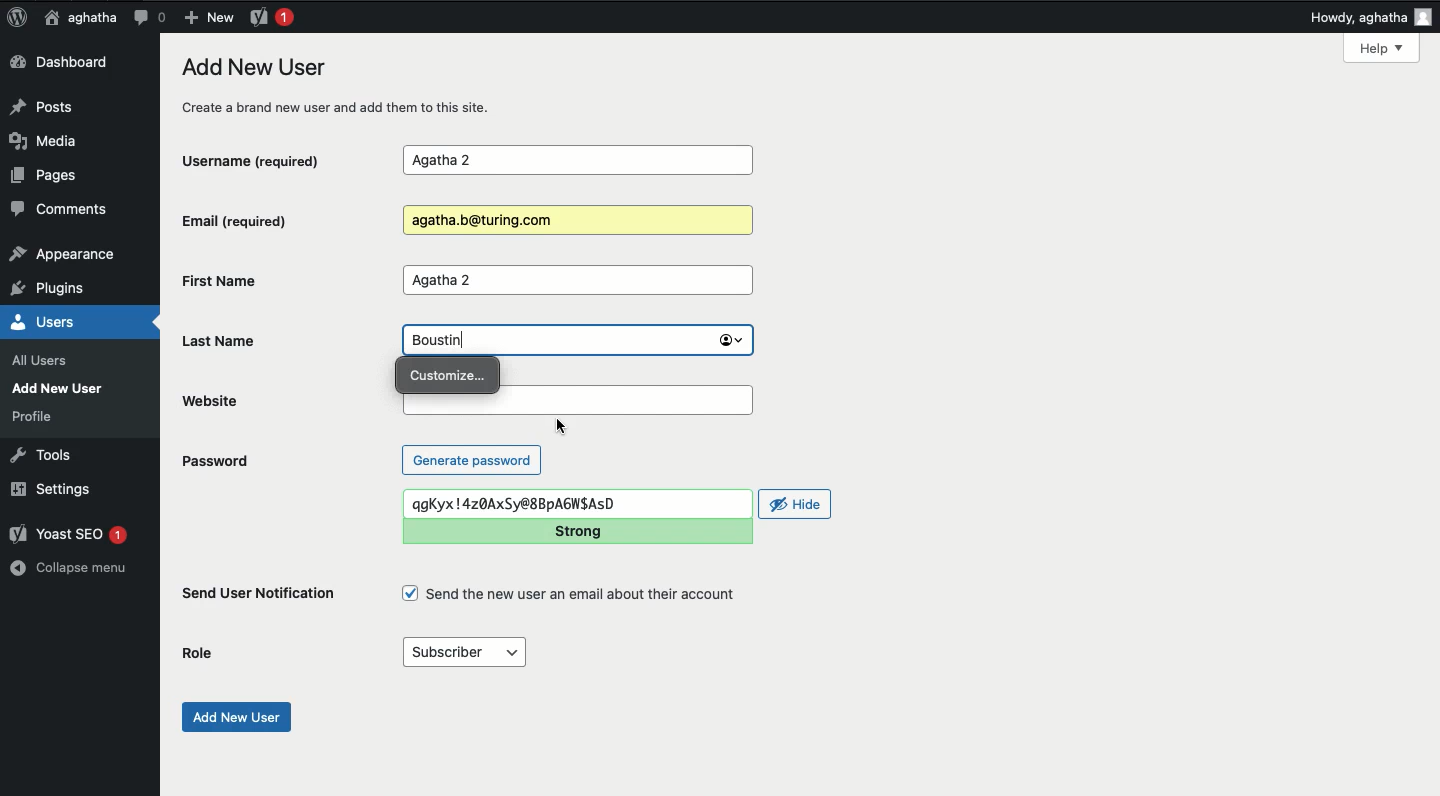  Describe the element at coordinates (65, 63) in the screenshot. I see `Dashboard` at that location.